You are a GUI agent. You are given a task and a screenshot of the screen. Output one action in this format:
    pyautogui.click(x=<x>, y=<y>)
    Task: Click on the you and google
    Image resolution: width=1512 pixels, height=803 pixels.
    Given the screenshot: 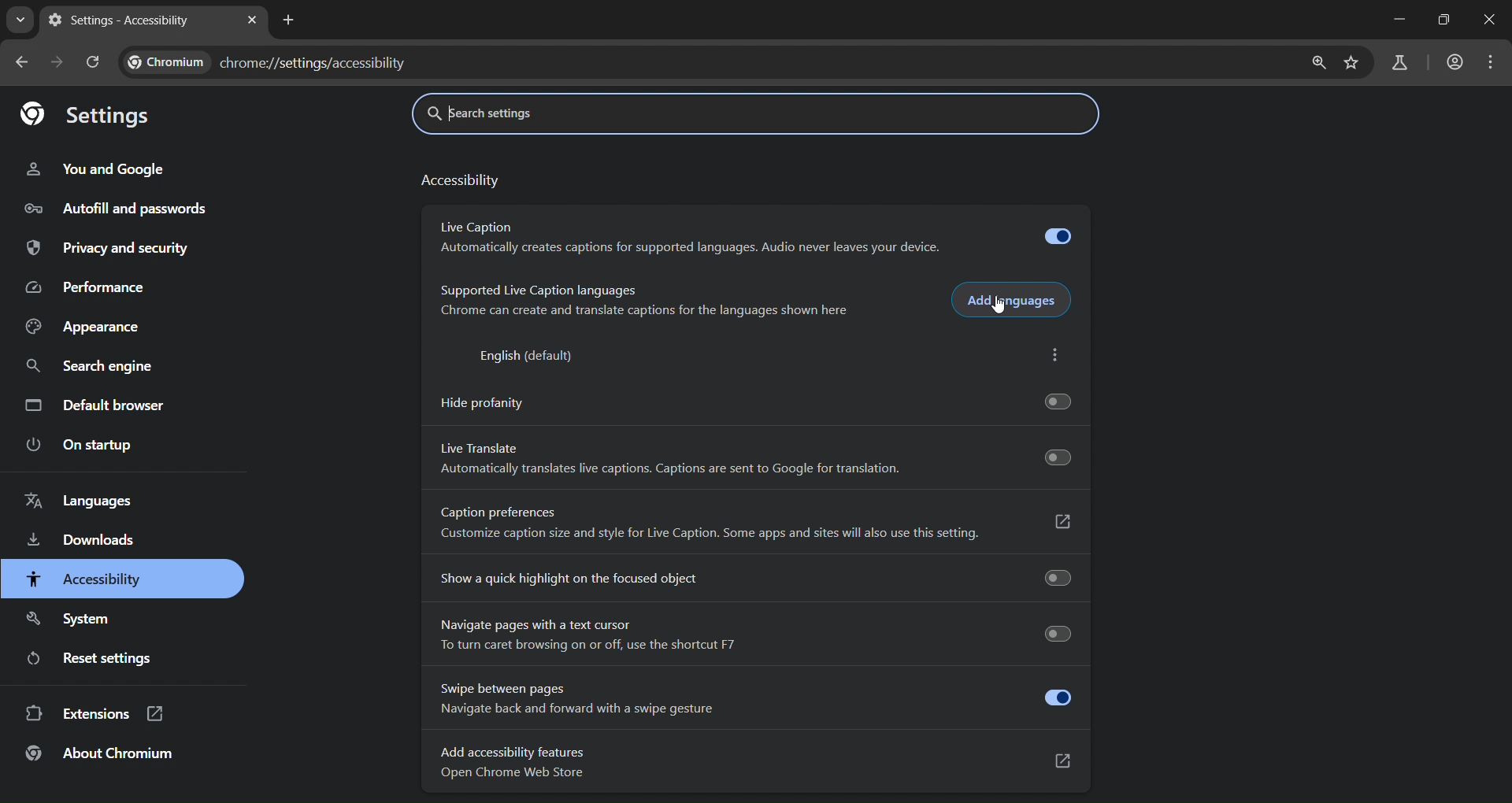 What is the action you would take?
    pyautogui.click(x=95, y=169)
    